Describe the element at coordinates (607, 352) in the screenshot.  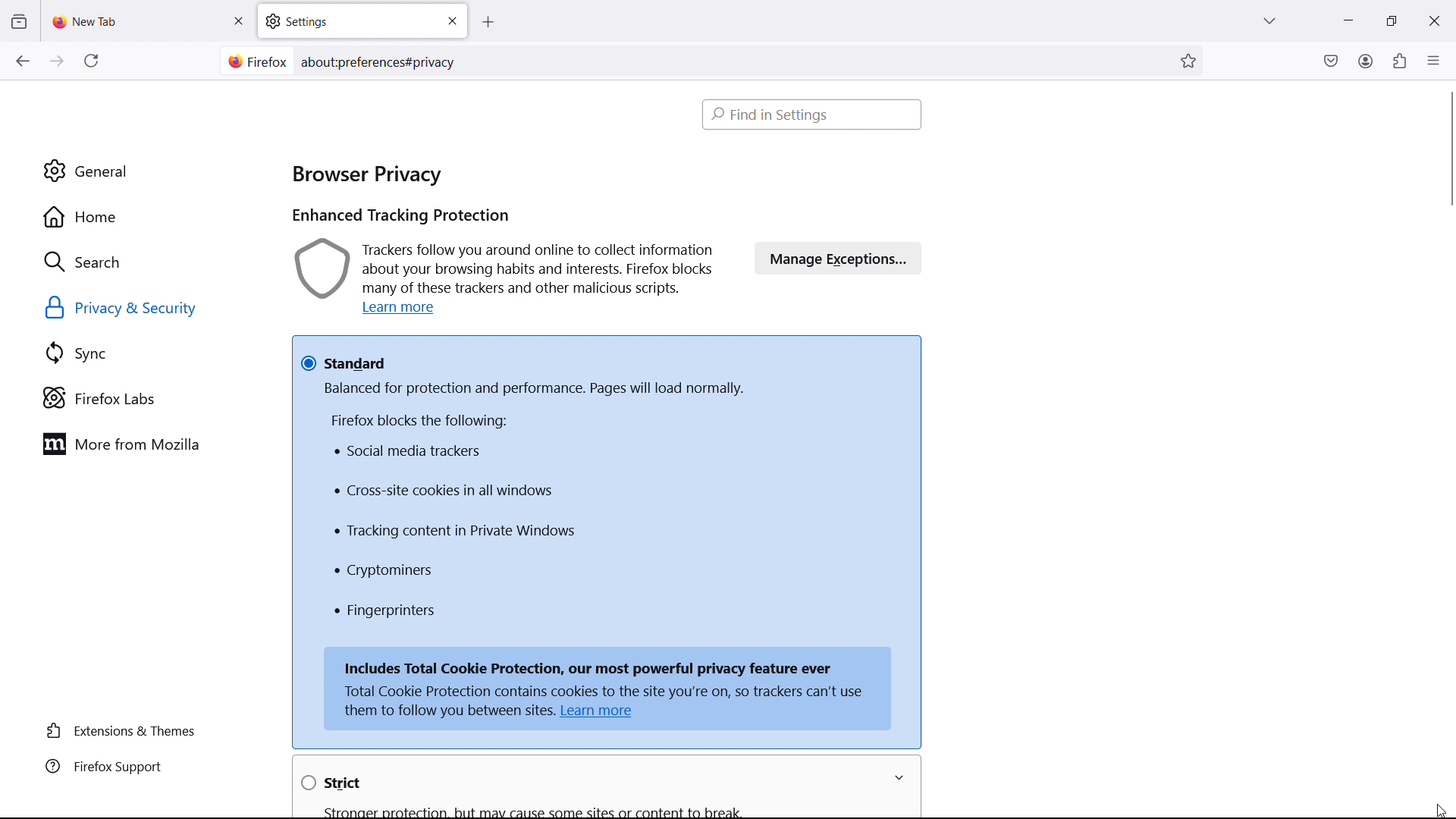
I see `standard privacy & security option` at that location.